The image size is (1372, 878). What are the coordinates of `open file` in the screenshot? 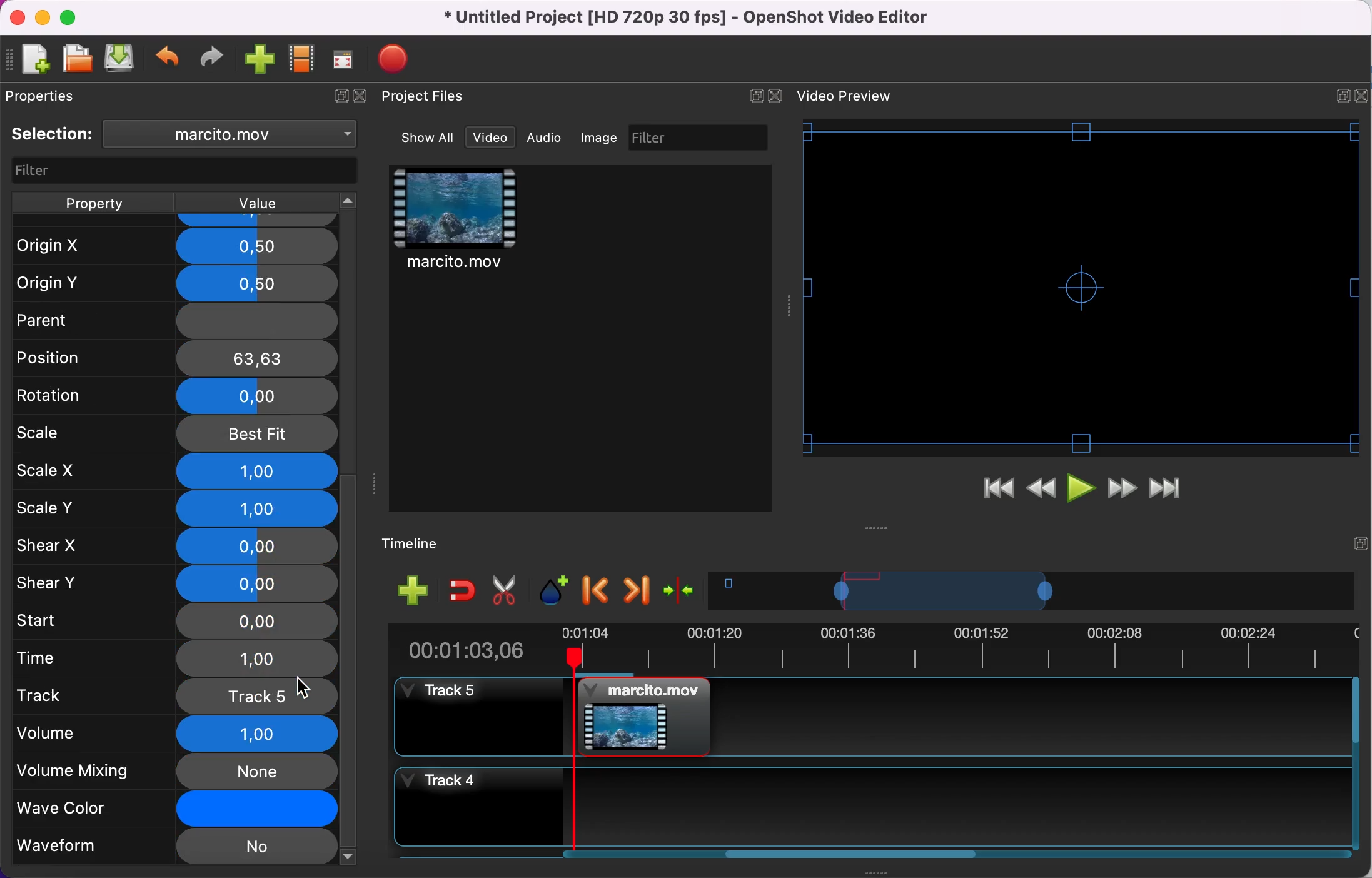 It's located at (76, 59).